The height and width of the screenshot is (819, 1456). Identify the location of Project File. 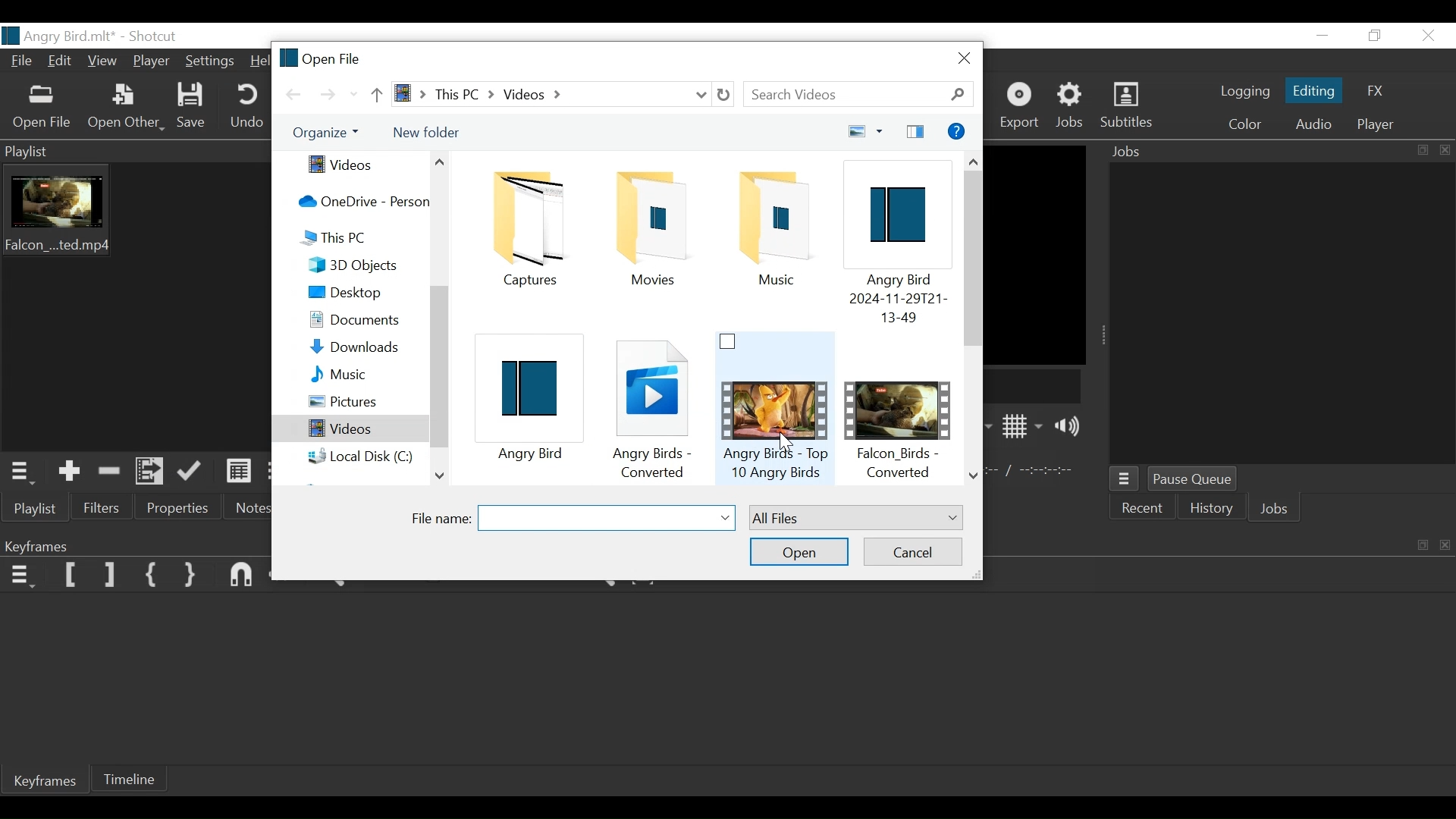
(534, 400).